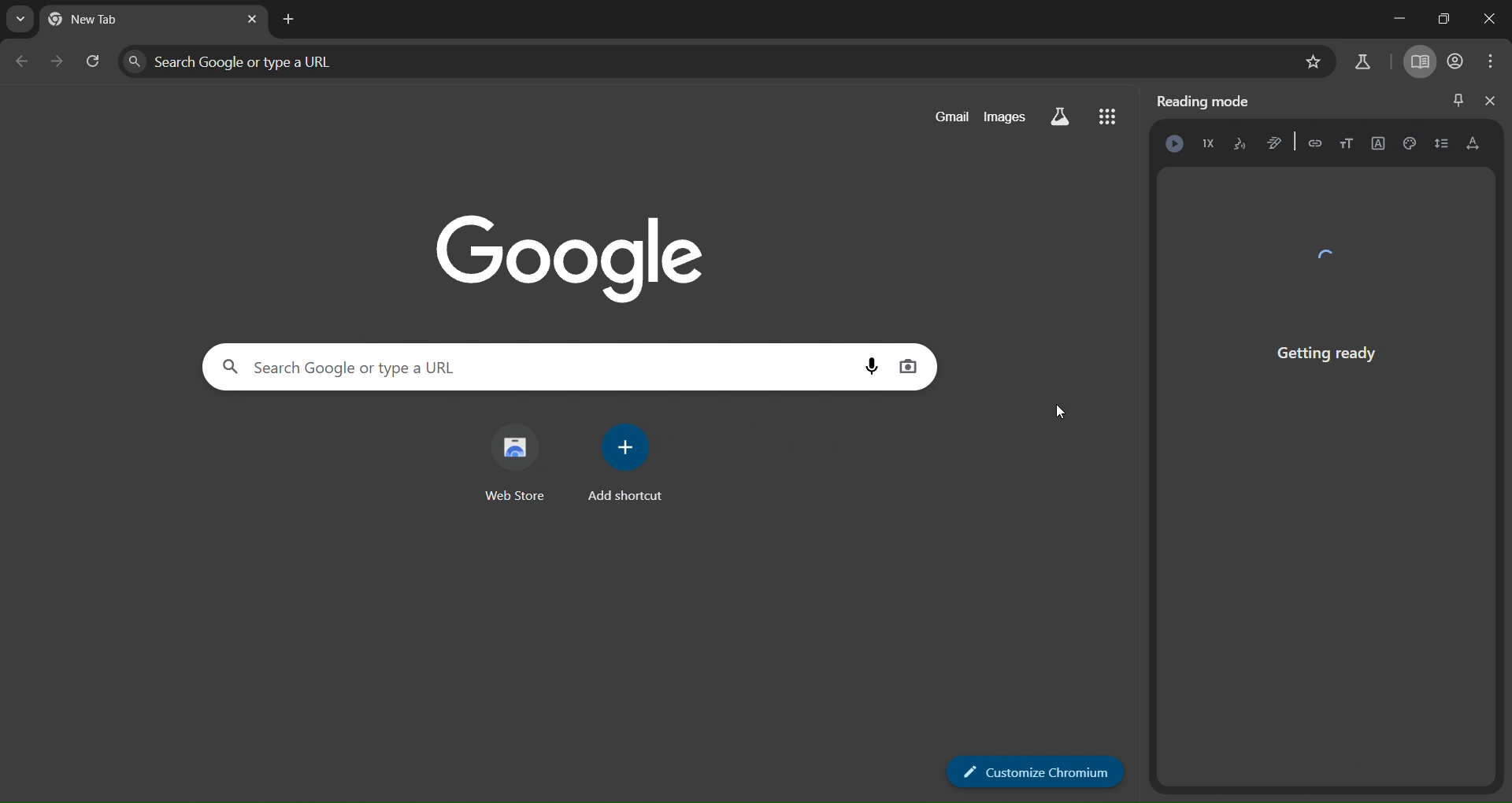 This screenshot has width=1512, height=803. What do you see at coordinates (946, 117) in the screenshot?
I see `gmail` at bounding box center [946, 117].